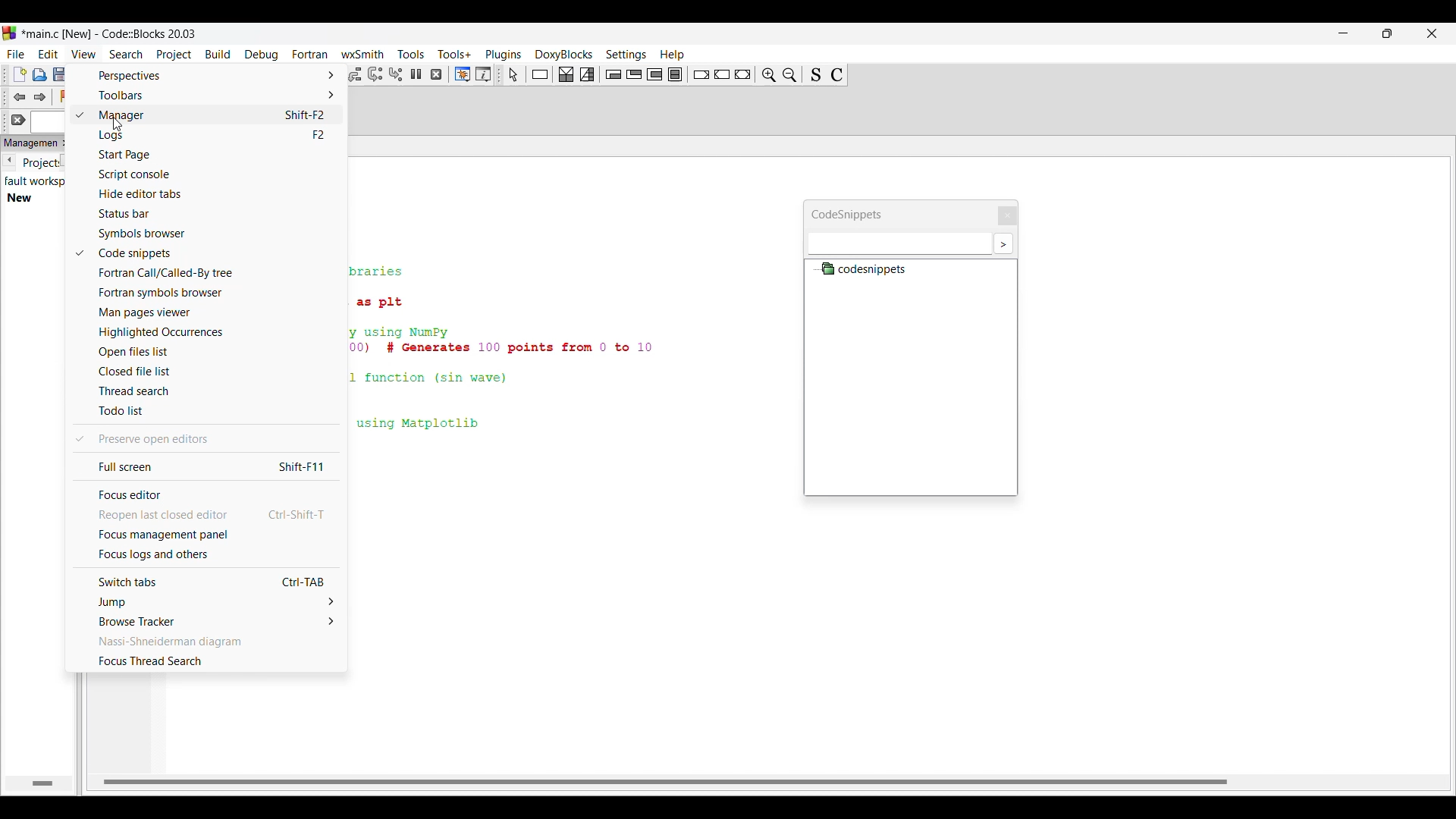 The image size is (1456, 819). Describe the element at coordinates (110, 33) in the screenshot. I see `Project name, software name and version` at that location.